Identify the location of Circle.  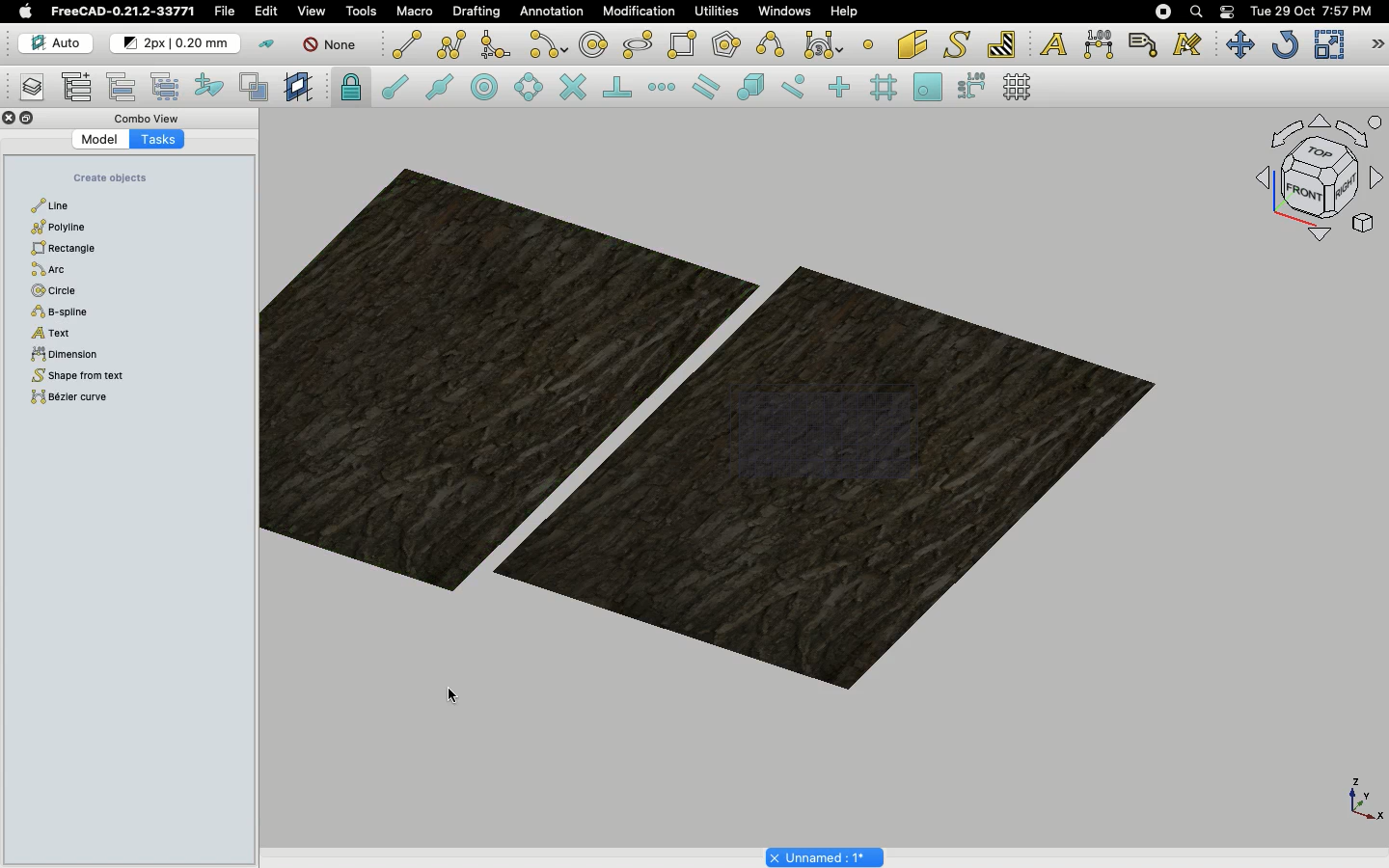
(60, 291).